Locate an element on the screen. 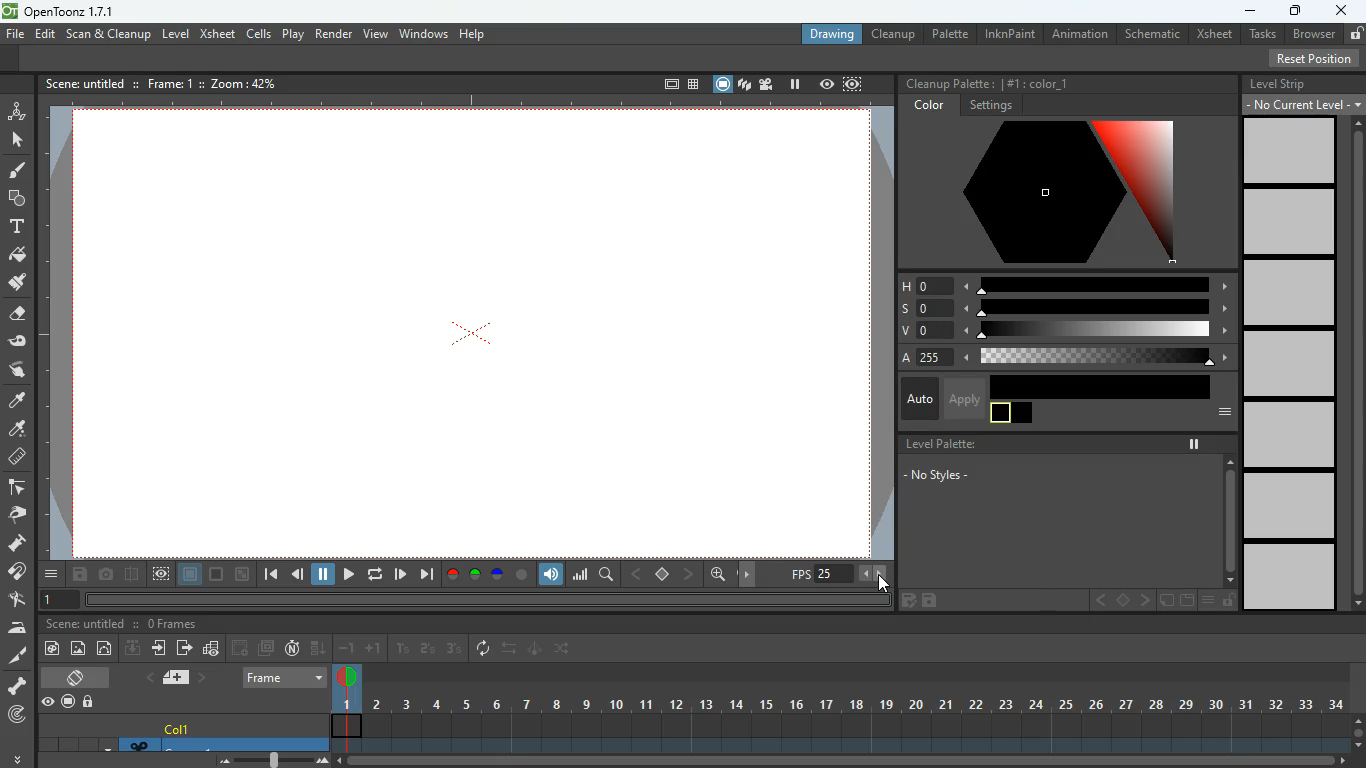 This screenshot has width=1366, height=768. 1 is located at coordinates (403, 650).